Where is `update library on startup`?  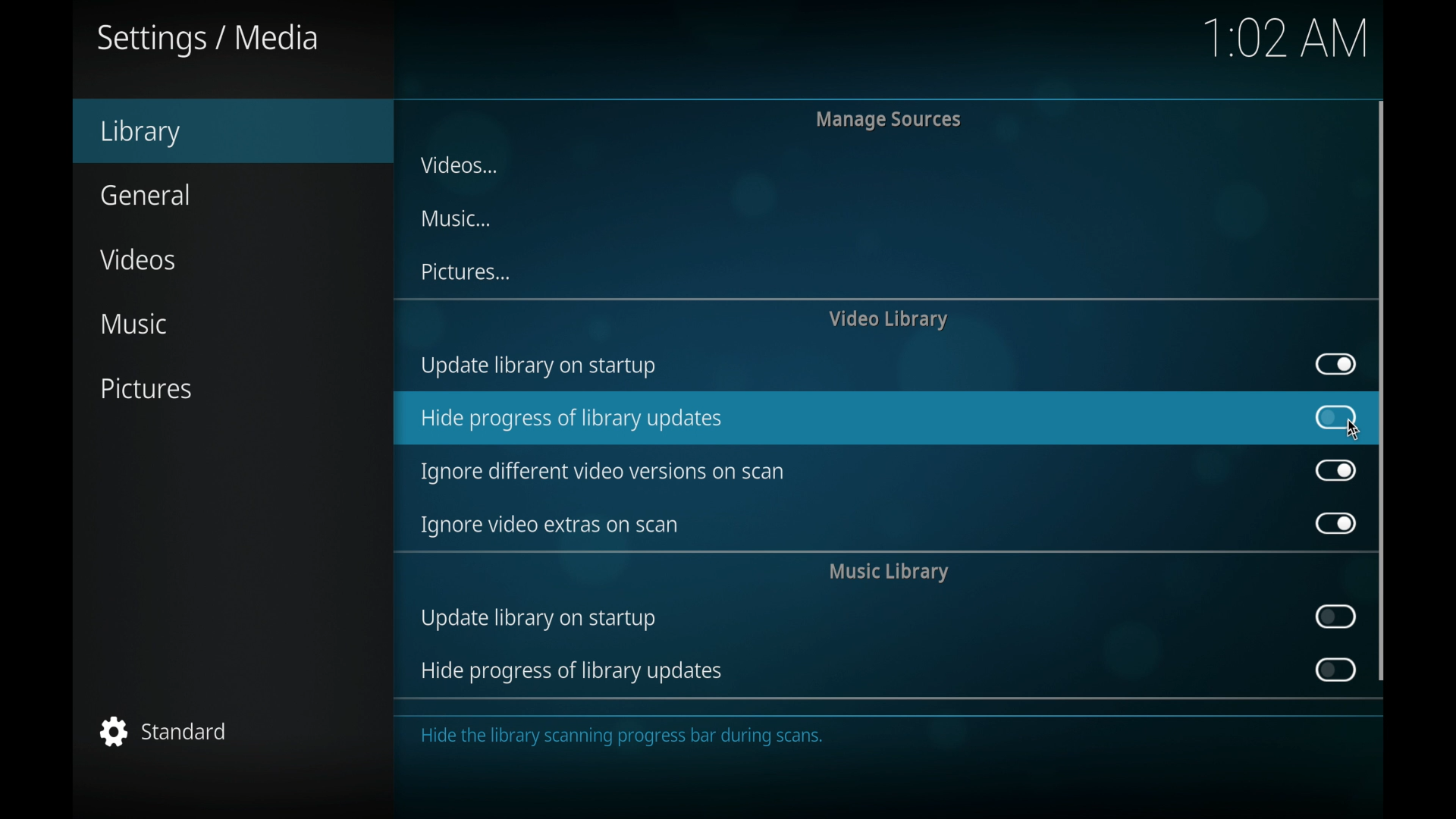
update library on startup is located at coordinates (538, 367).